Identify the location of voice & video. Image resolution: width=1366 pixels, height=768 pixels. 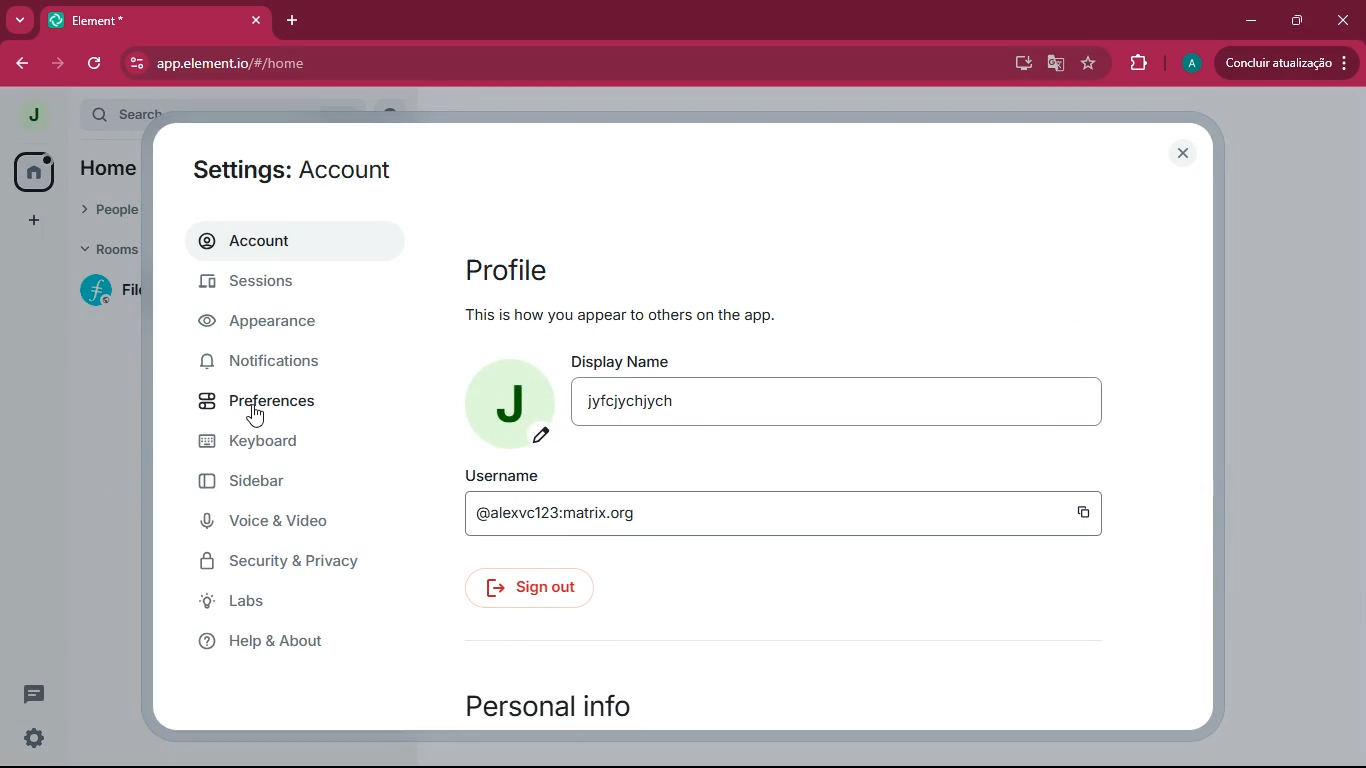
(269, 520).